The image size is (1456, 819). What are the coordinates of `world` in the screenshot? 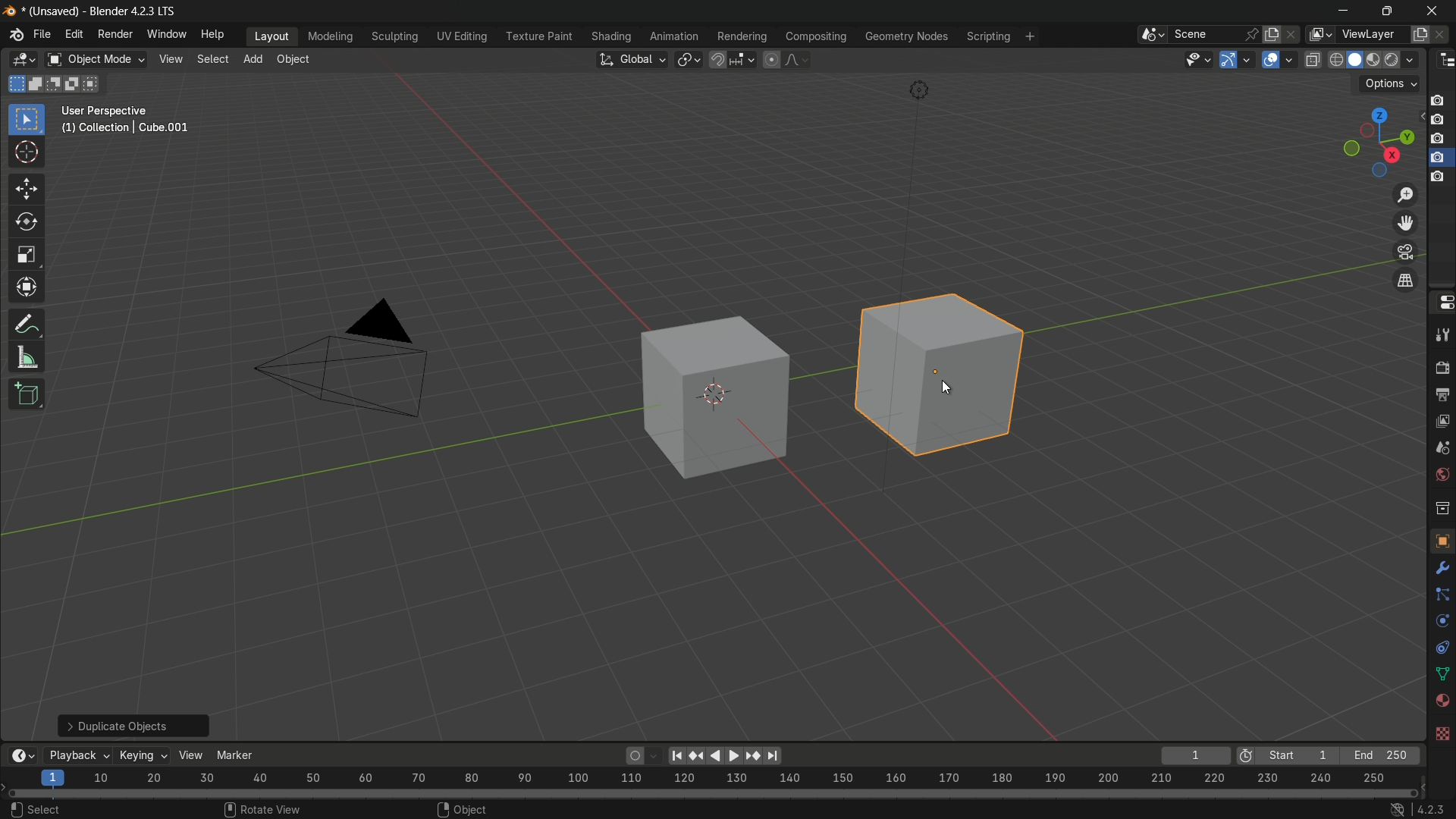 It's located at (1442, 473).